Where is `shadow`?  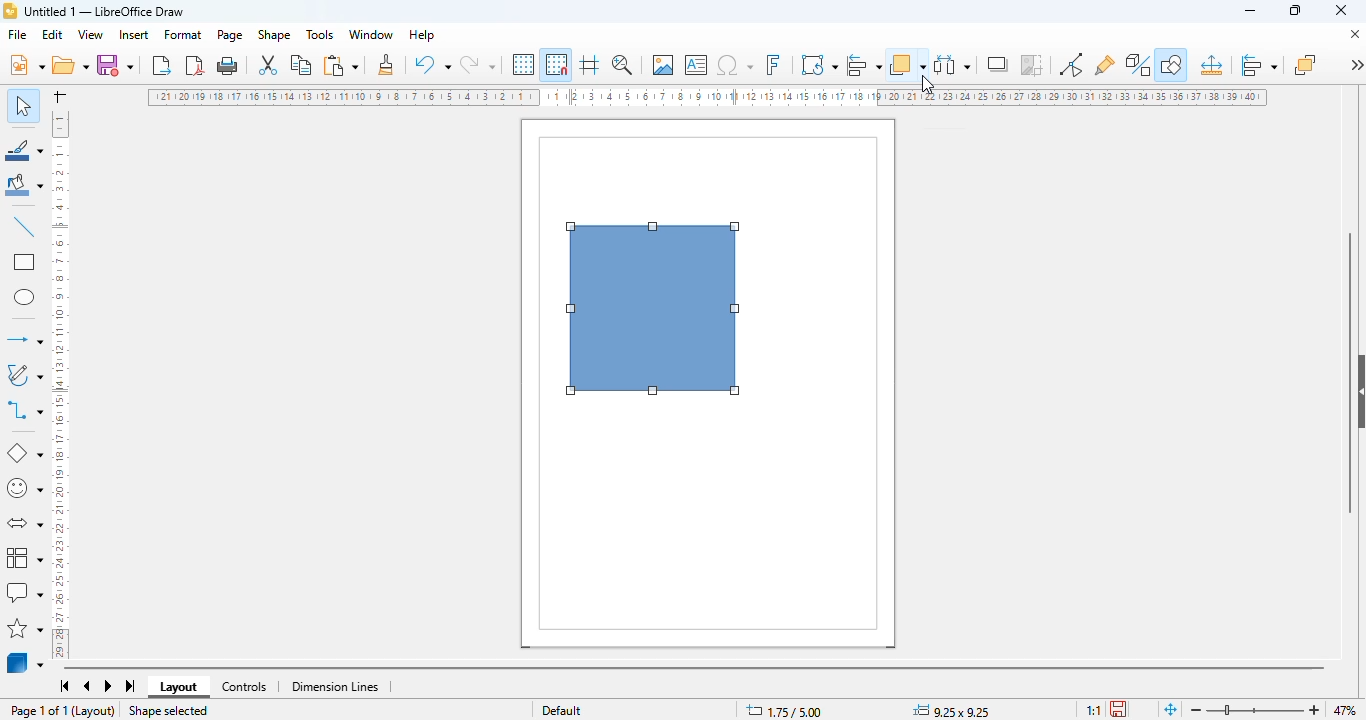
shadow is located at coordinates (999, 64).